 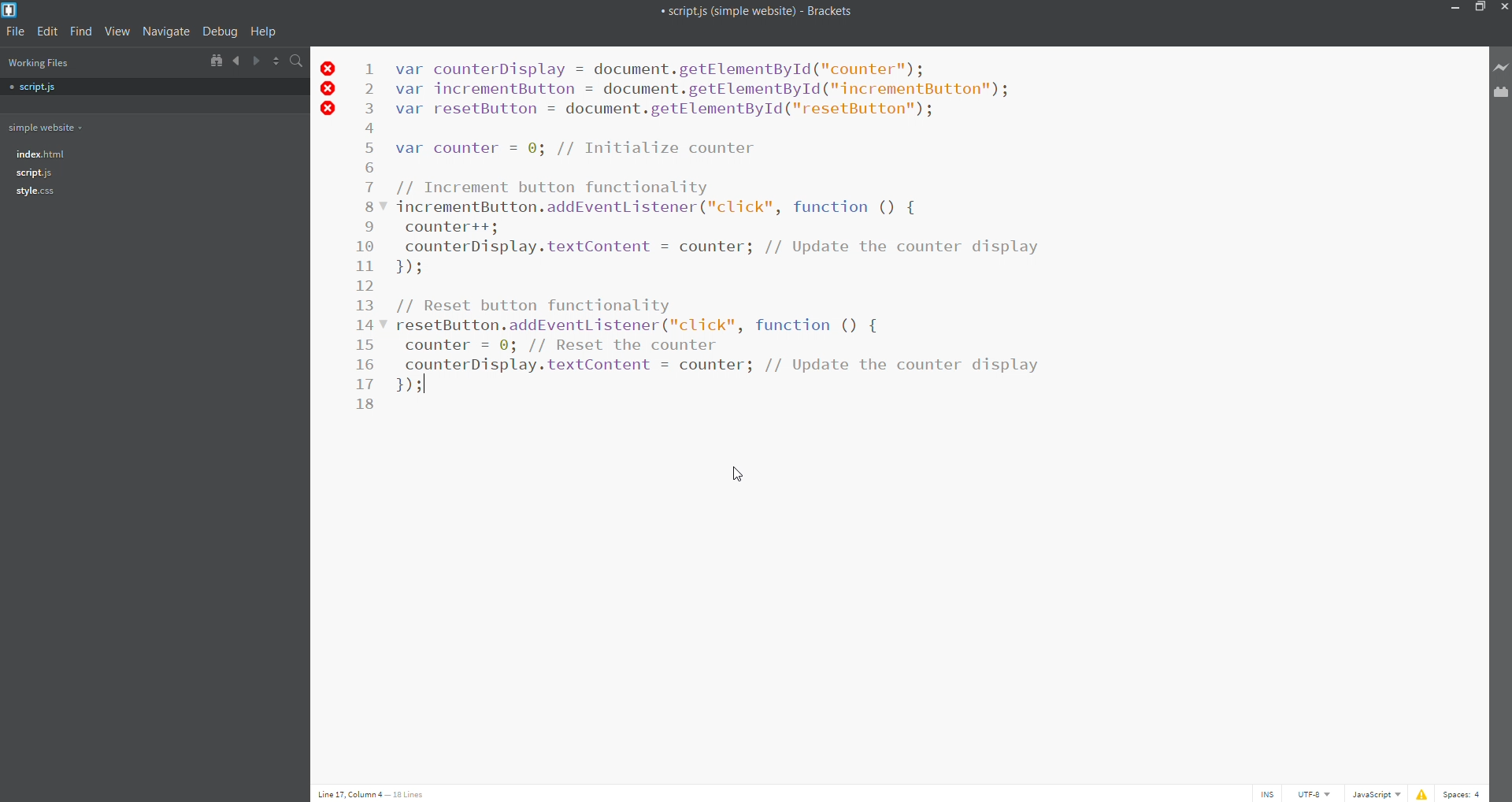 What do you see at coordinates (1266, 793) in the screenshot?
I see `cursor taggle` at bounding box center [1266, 793].